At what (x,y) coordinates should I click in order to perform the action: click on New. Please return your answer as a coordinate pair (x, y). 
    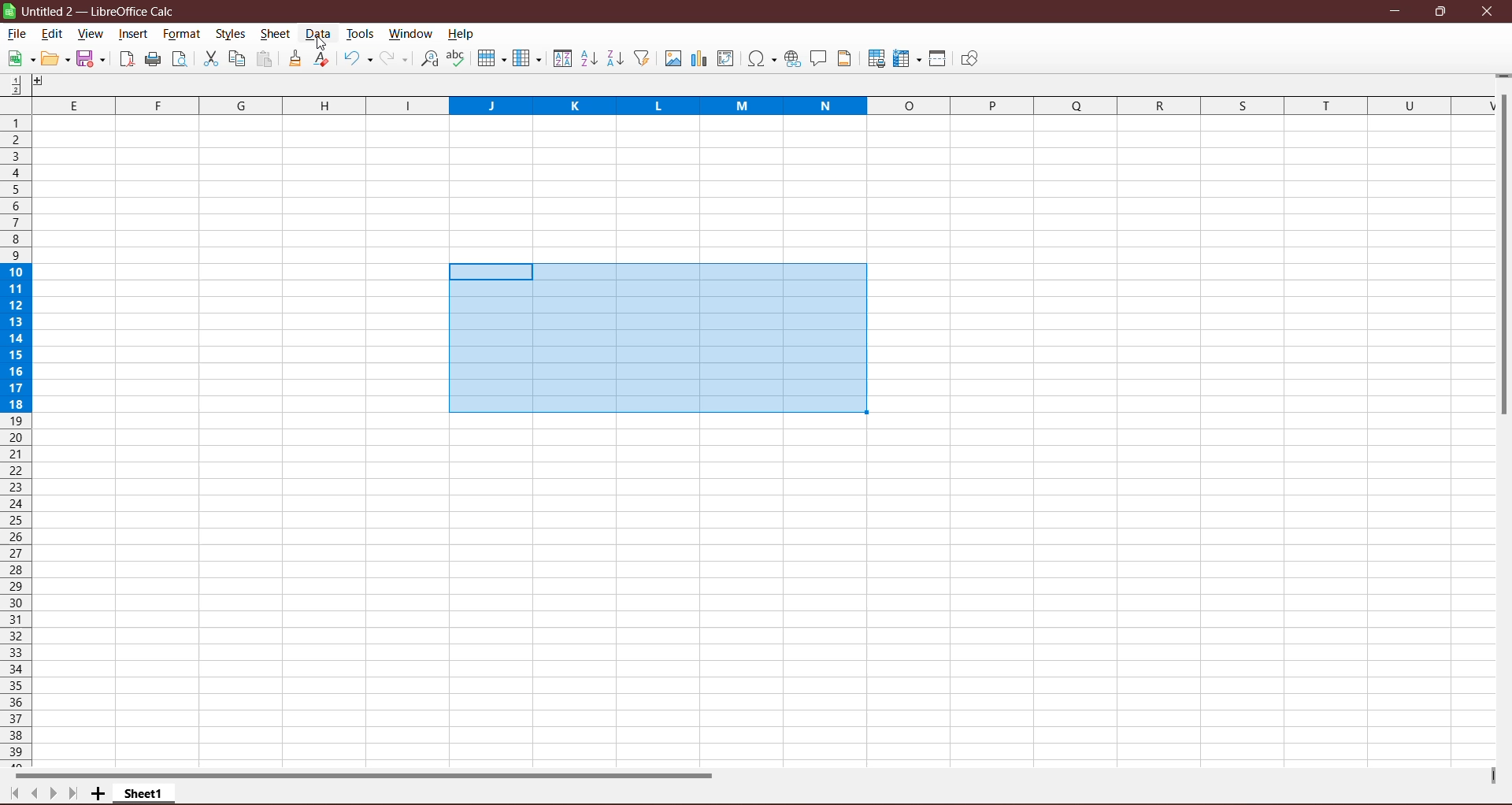
    Looking at the image, I should click on (19, 59).